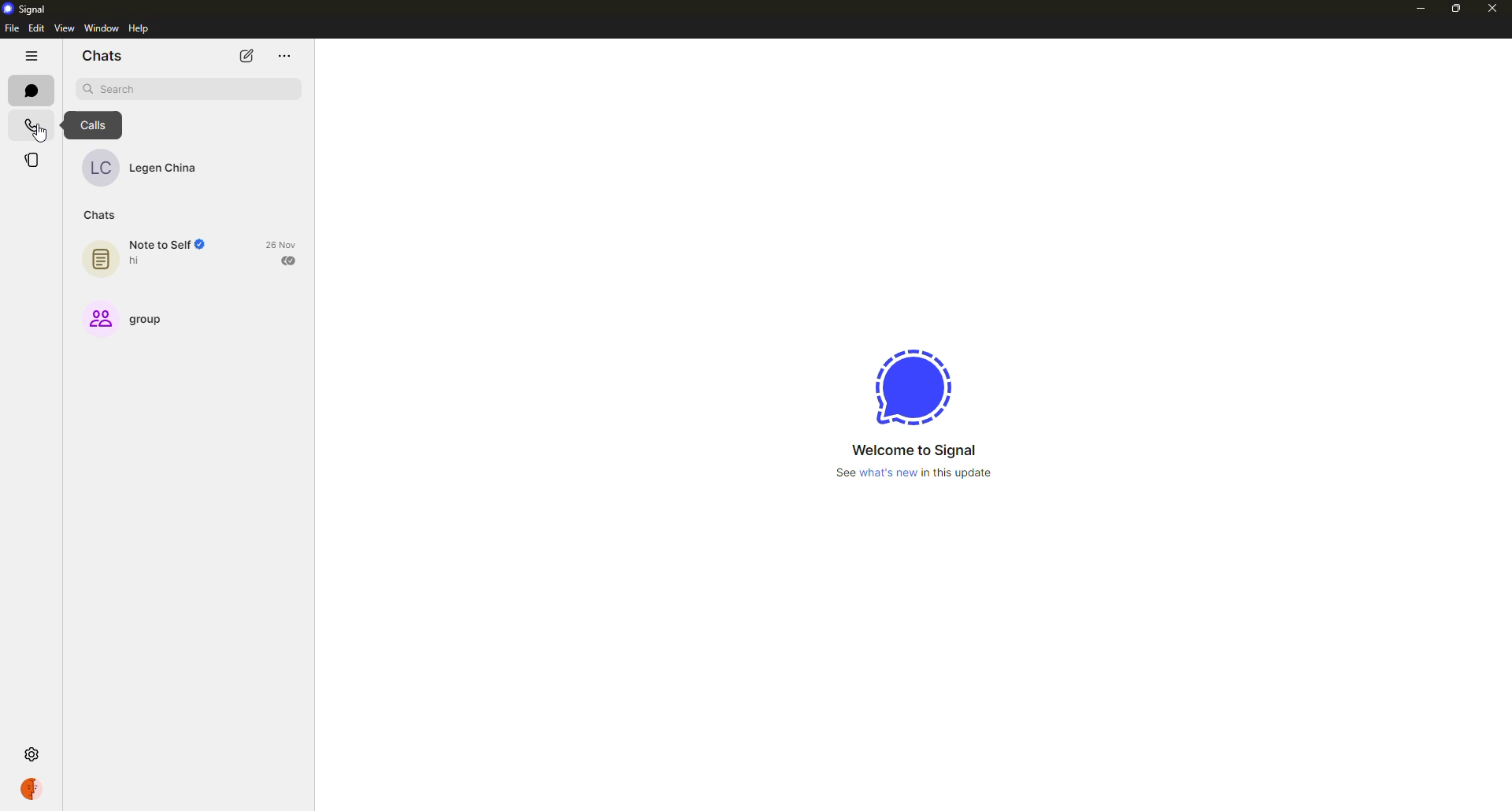 This screenshot has height=811, width=1512. I want to click on search, so click(186, 89).